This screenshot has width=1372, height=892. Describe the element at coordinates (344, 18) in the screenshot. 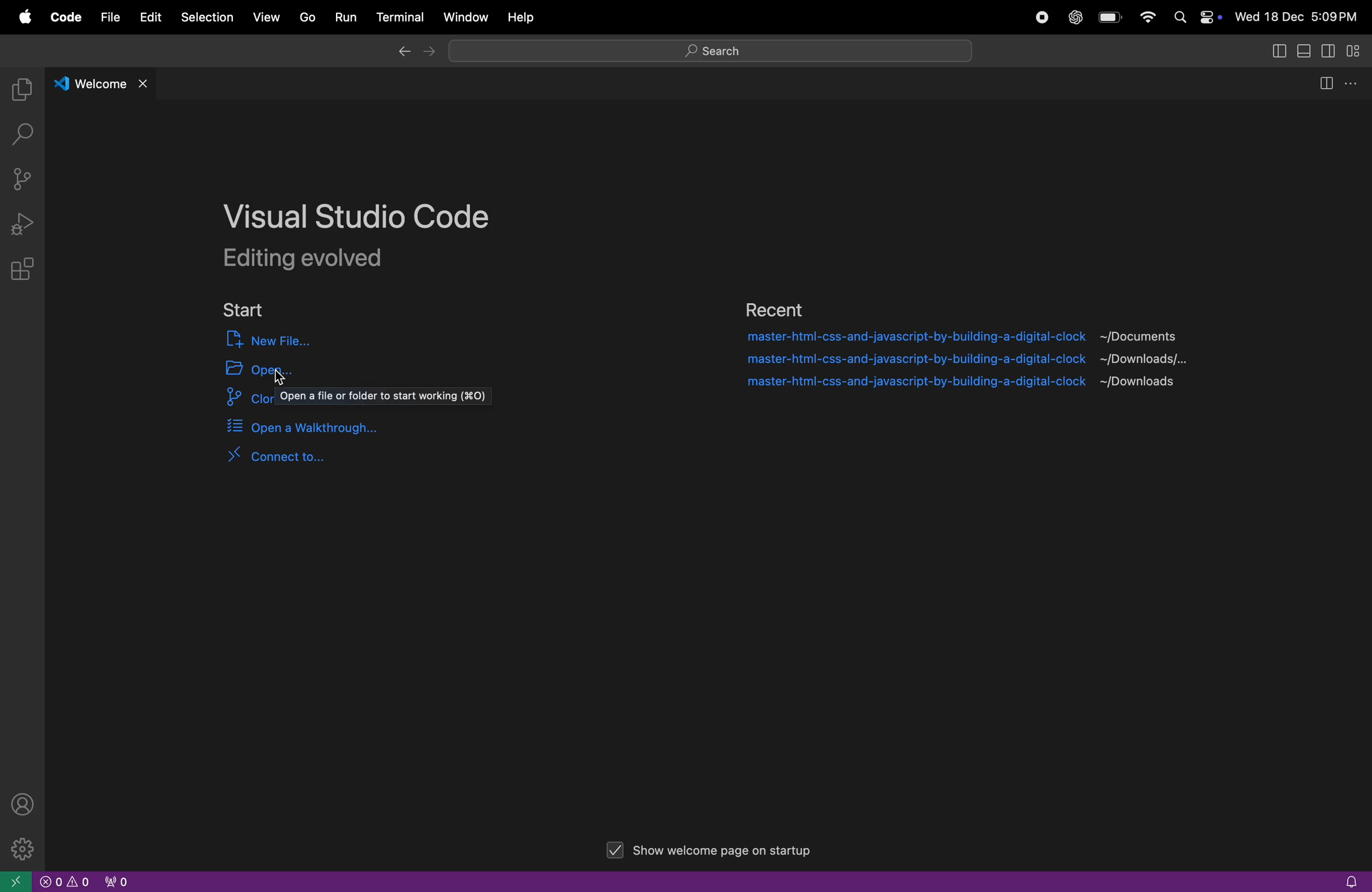

I see `Run` at that location.